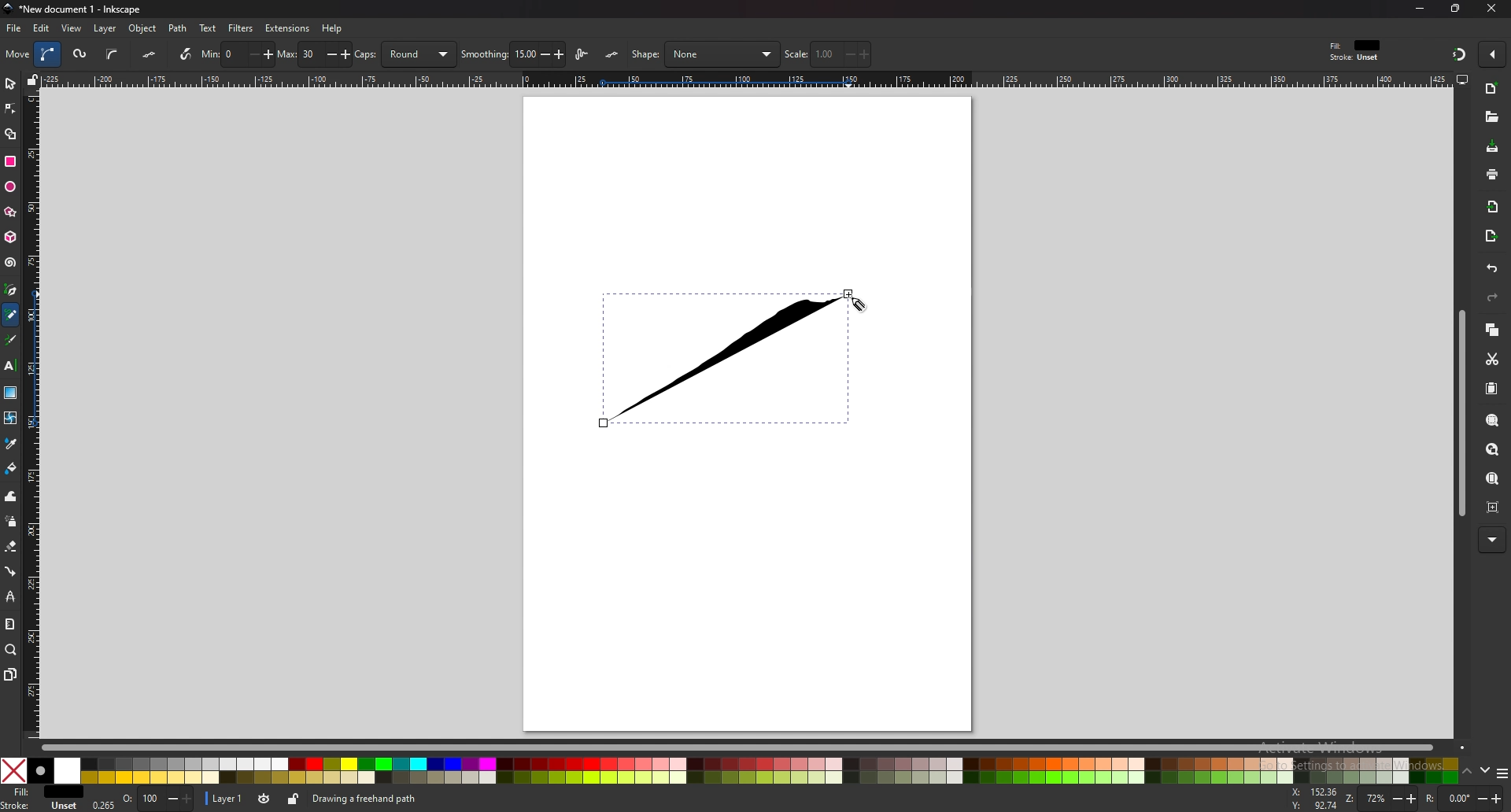  Describe the element at coordinates (1491, 9) in the screenshot. I see `close` at that location.